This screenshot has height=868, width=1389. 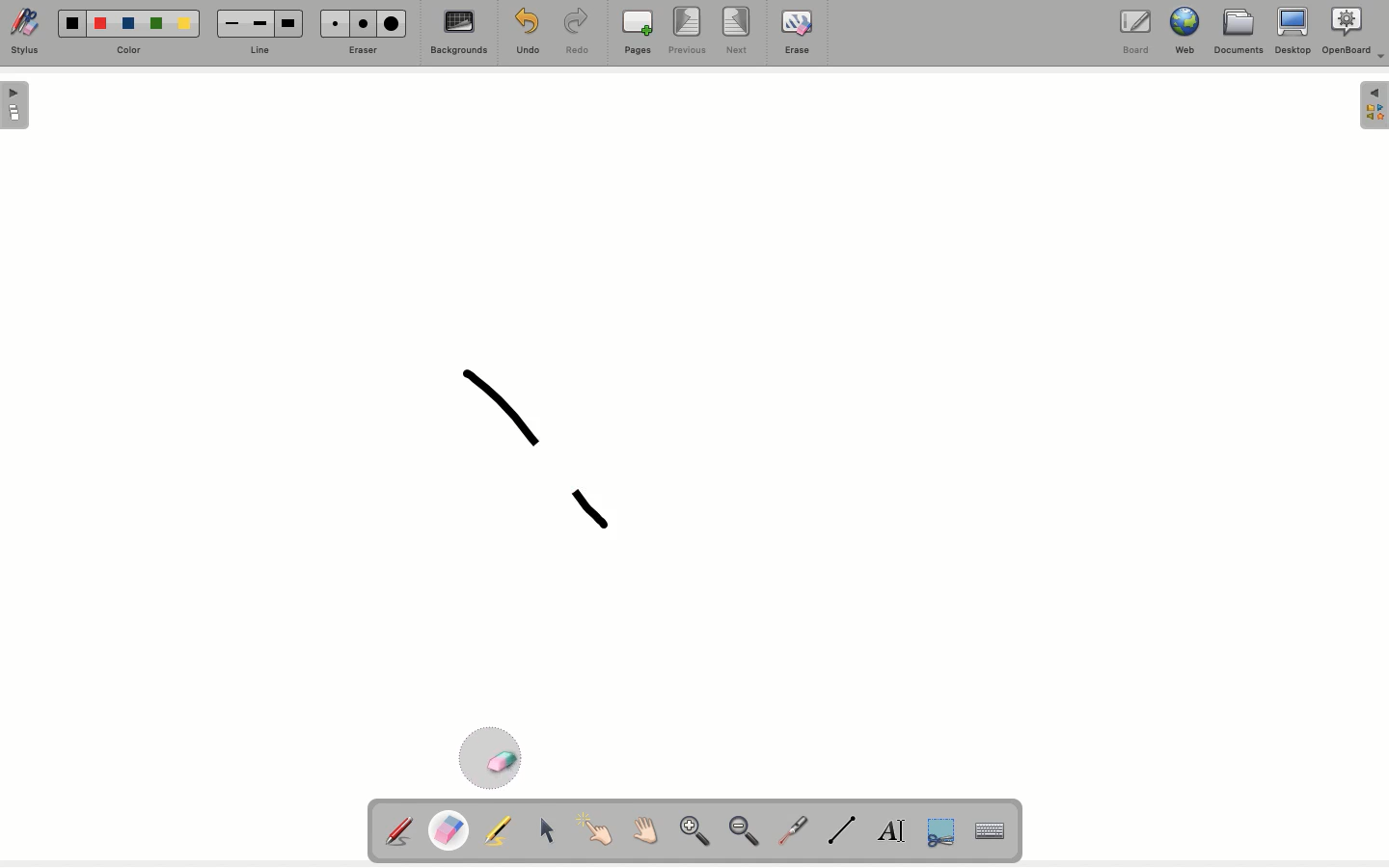 I want to click on OpenBoard, so click(x=1355, y=33).